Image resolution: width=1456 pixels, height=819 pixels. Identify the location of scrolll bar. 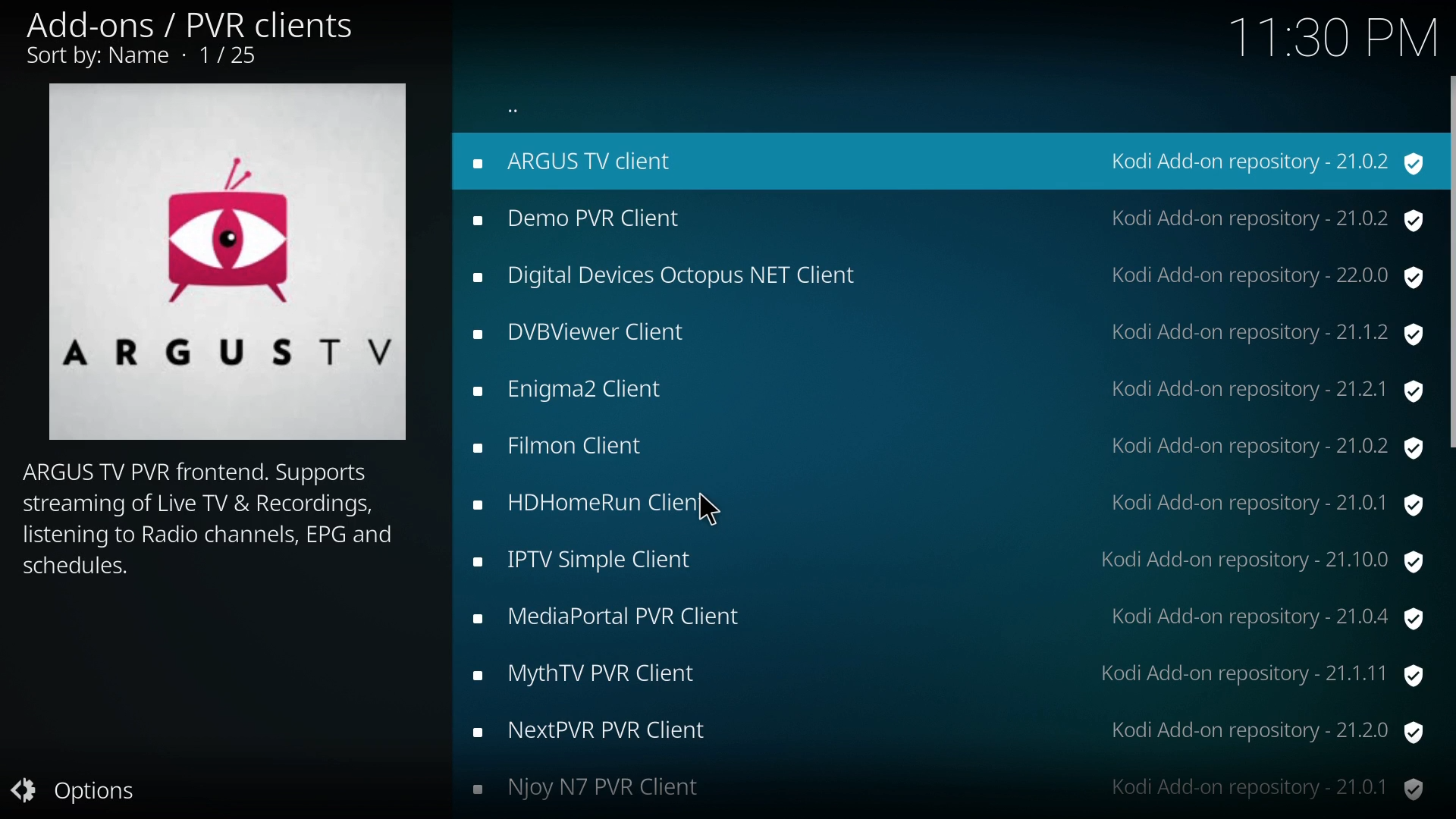
(1447, 264).